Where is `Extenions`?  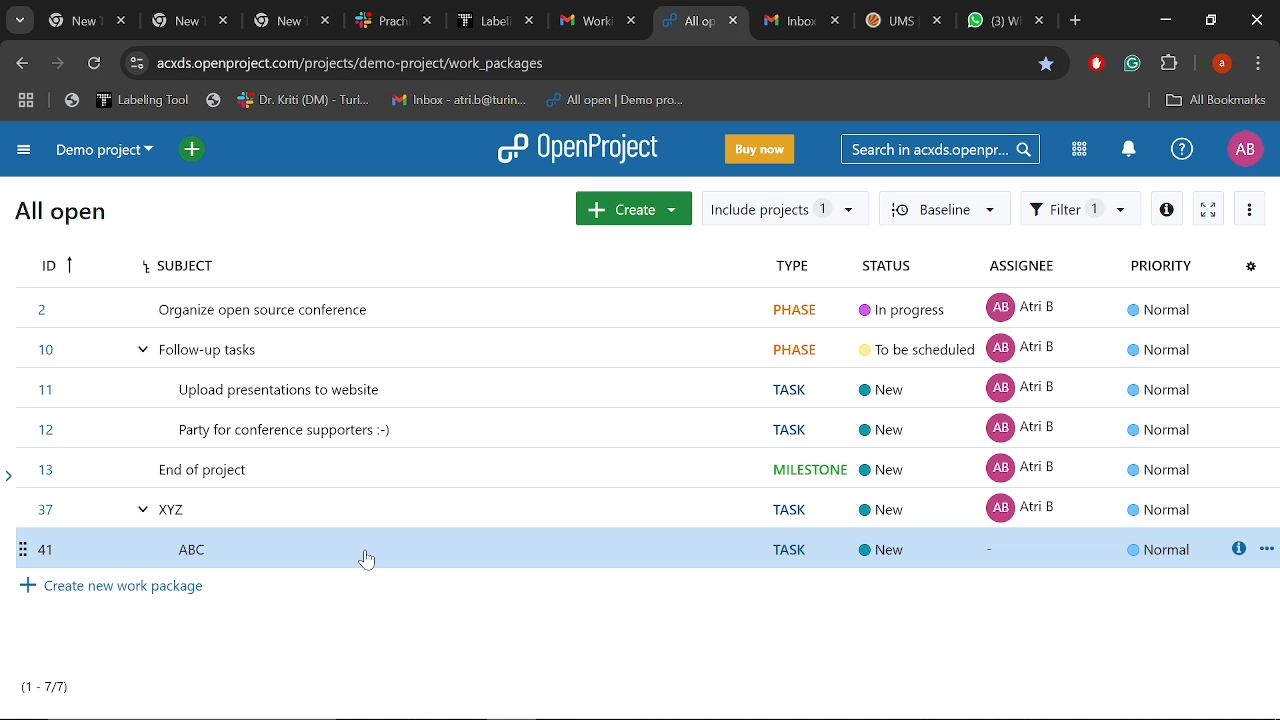
Extenions is located at coordinates (1169, 65).